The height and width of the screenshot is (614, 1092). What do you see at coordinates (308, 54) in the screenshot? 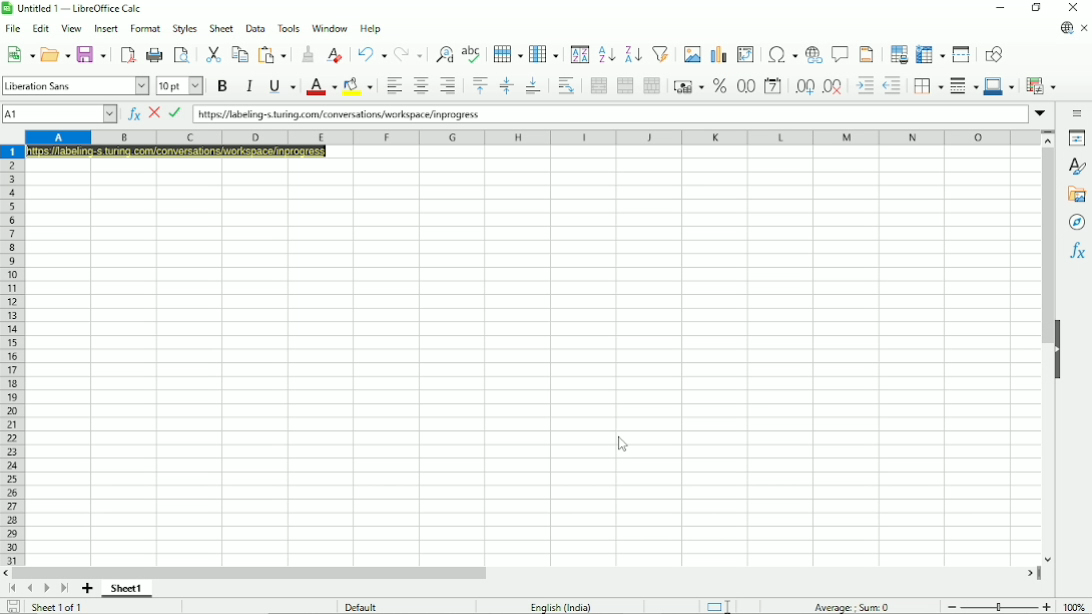
I see `Clone formatting` at bounding box center [308, 54].